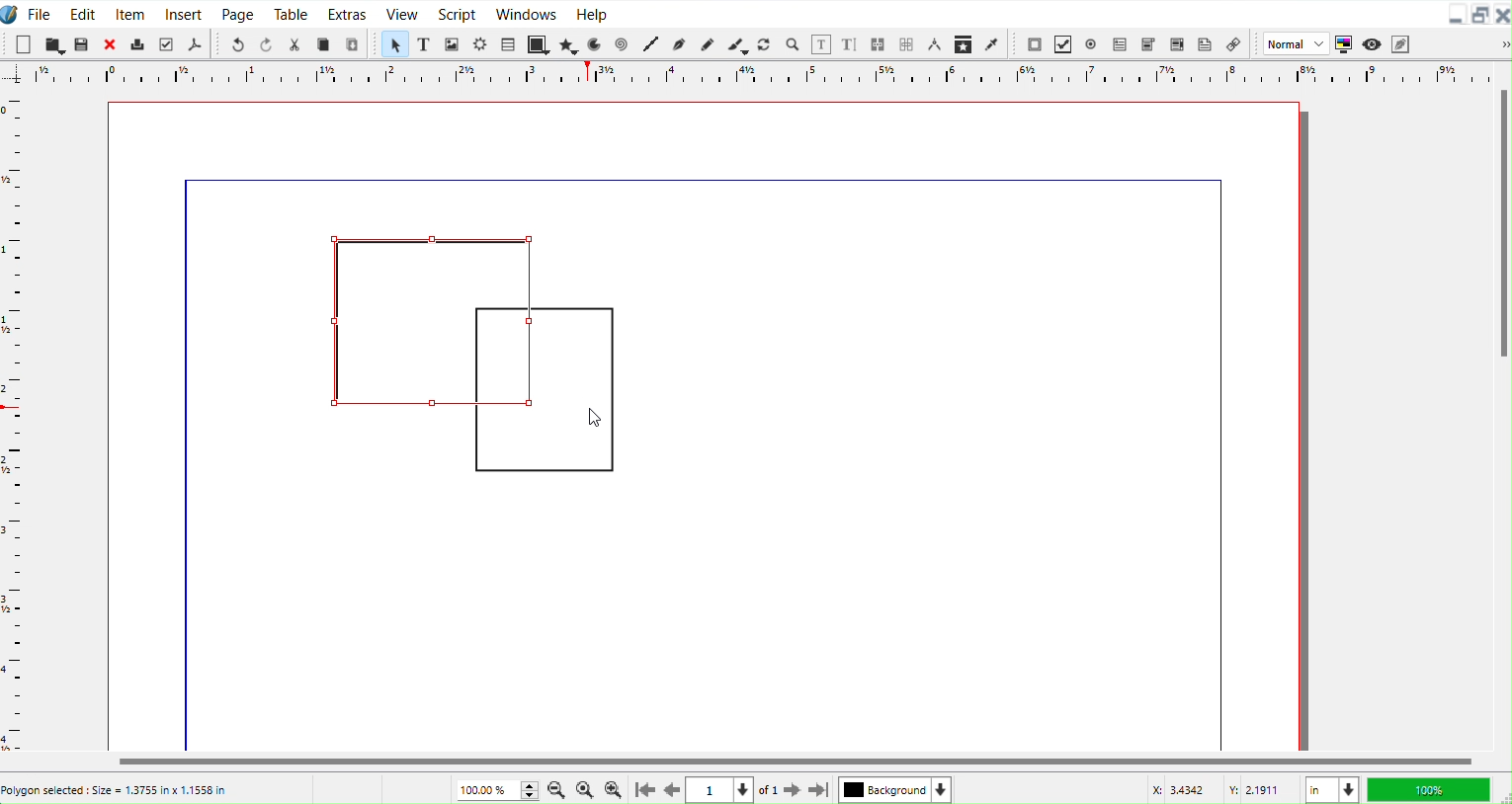 This screenshot has width=1512, height=804. What do you see at coordinates (400, 13) in the screenshot?
I see `View` at bounding box center [400, 13].